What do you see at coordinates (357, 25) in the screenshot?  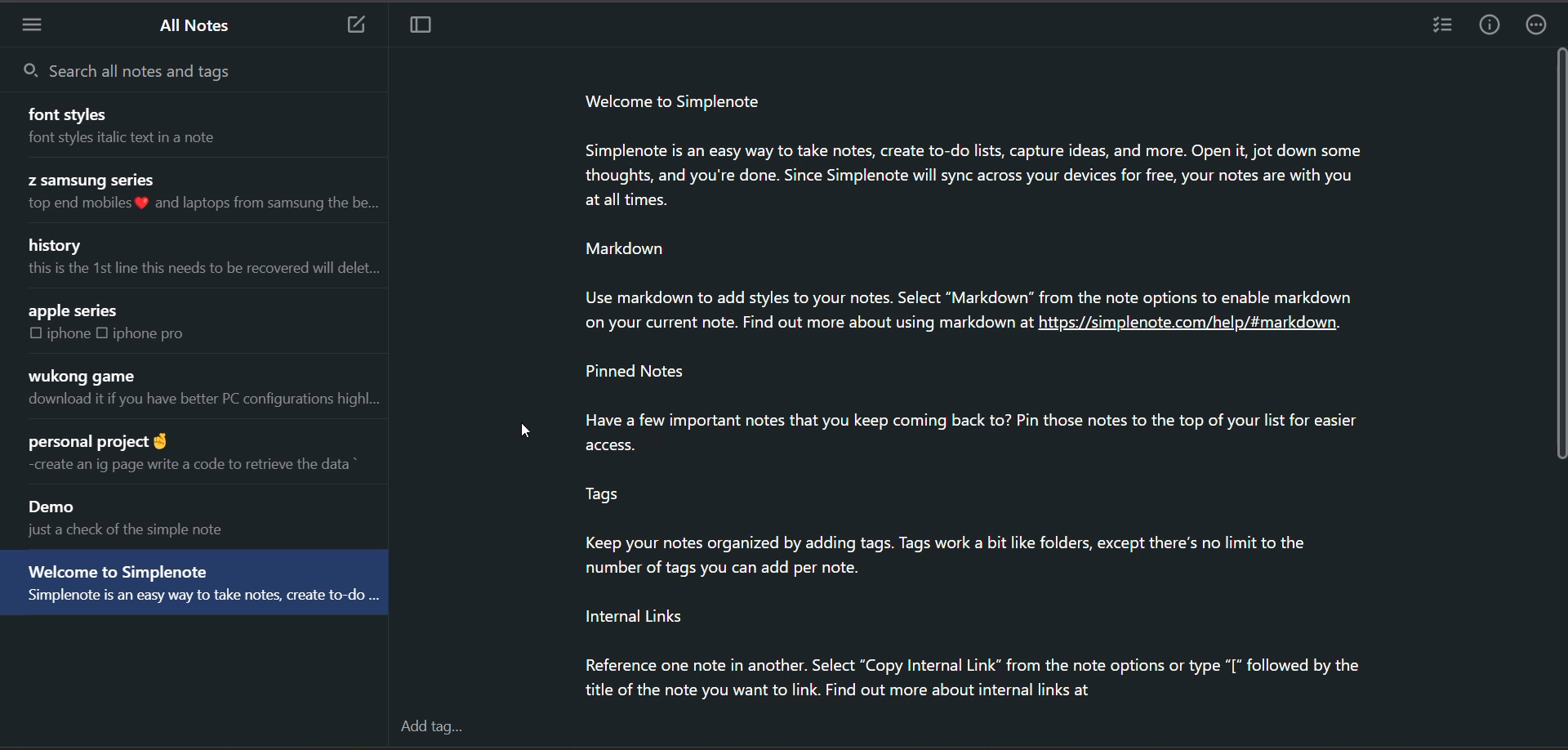 I see `add new note` at bounding box center [357, 25].